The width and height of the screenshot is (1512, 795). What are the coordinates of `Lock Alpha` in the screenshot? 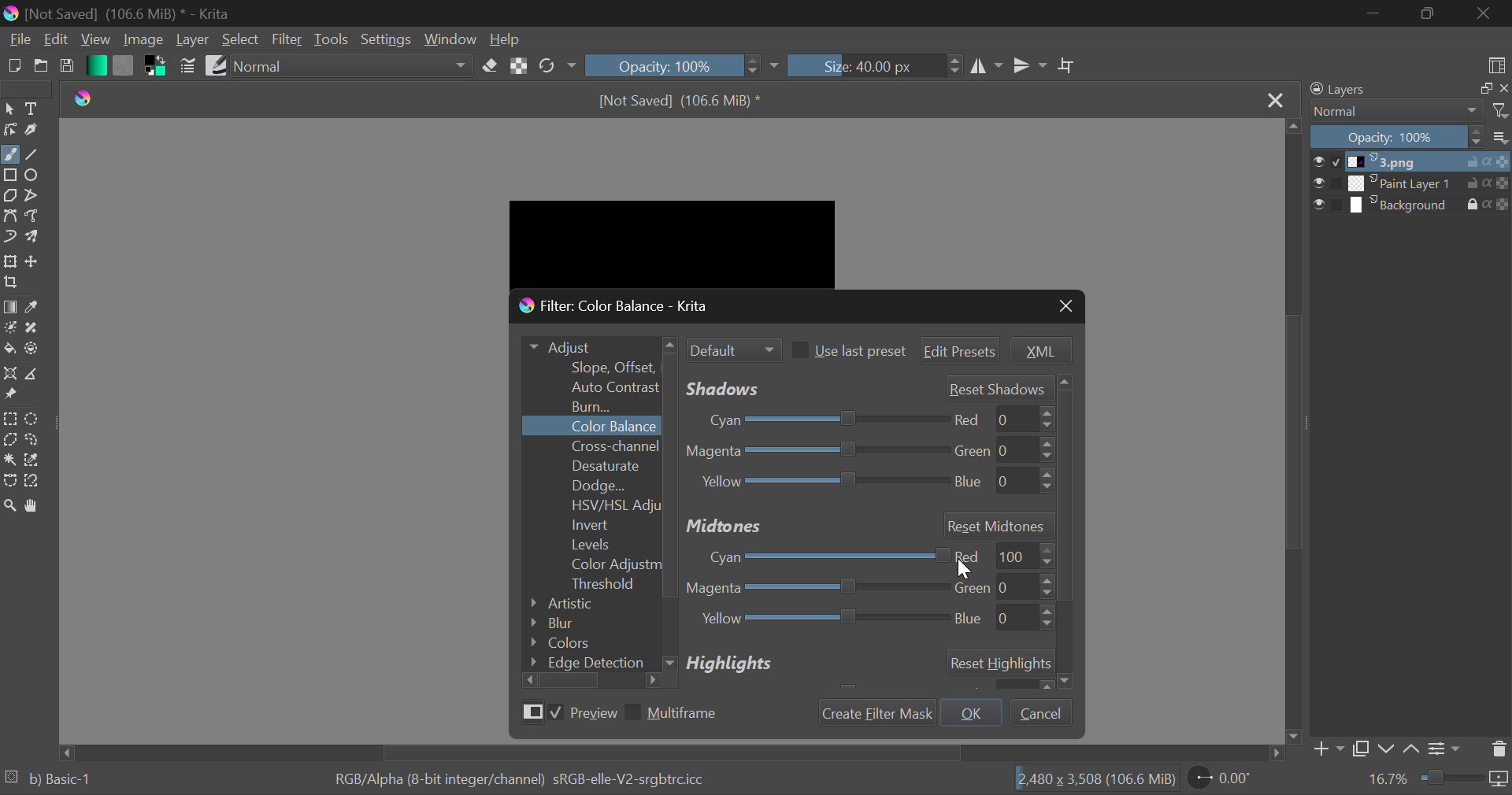 It's located at (519, 66).